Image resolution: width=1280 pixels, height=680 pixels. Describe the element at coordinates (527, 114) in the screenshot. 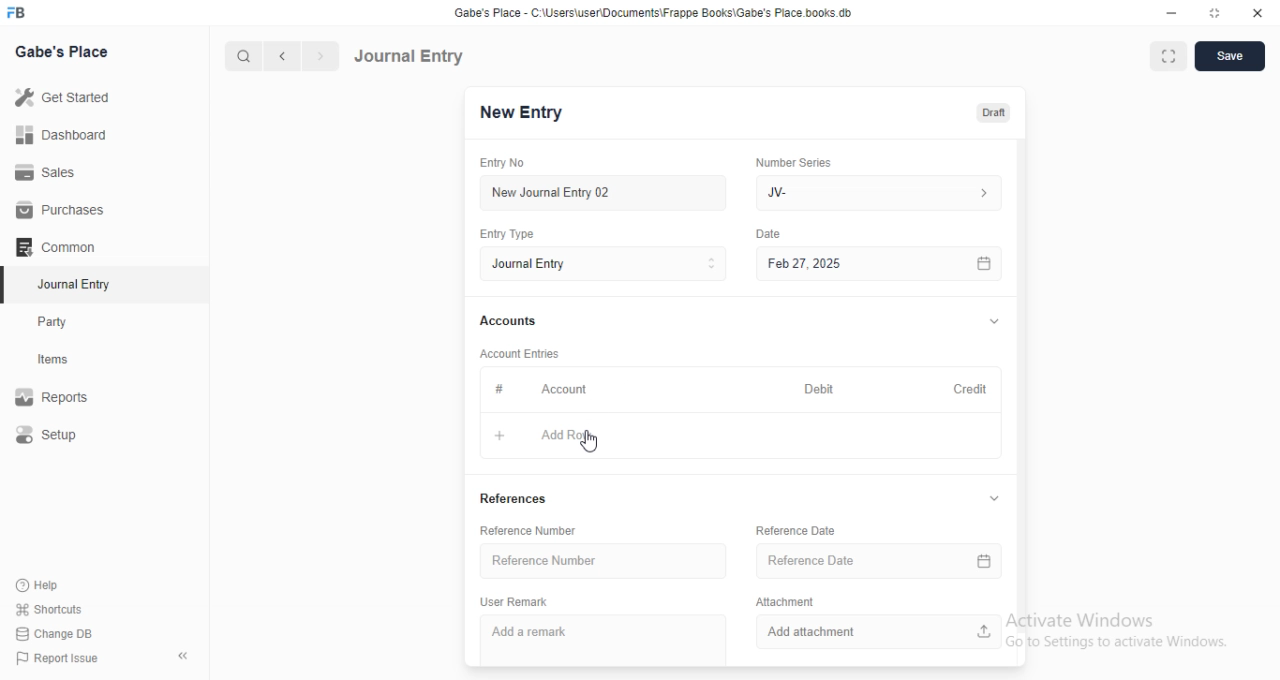

I see `New entry` at that location.